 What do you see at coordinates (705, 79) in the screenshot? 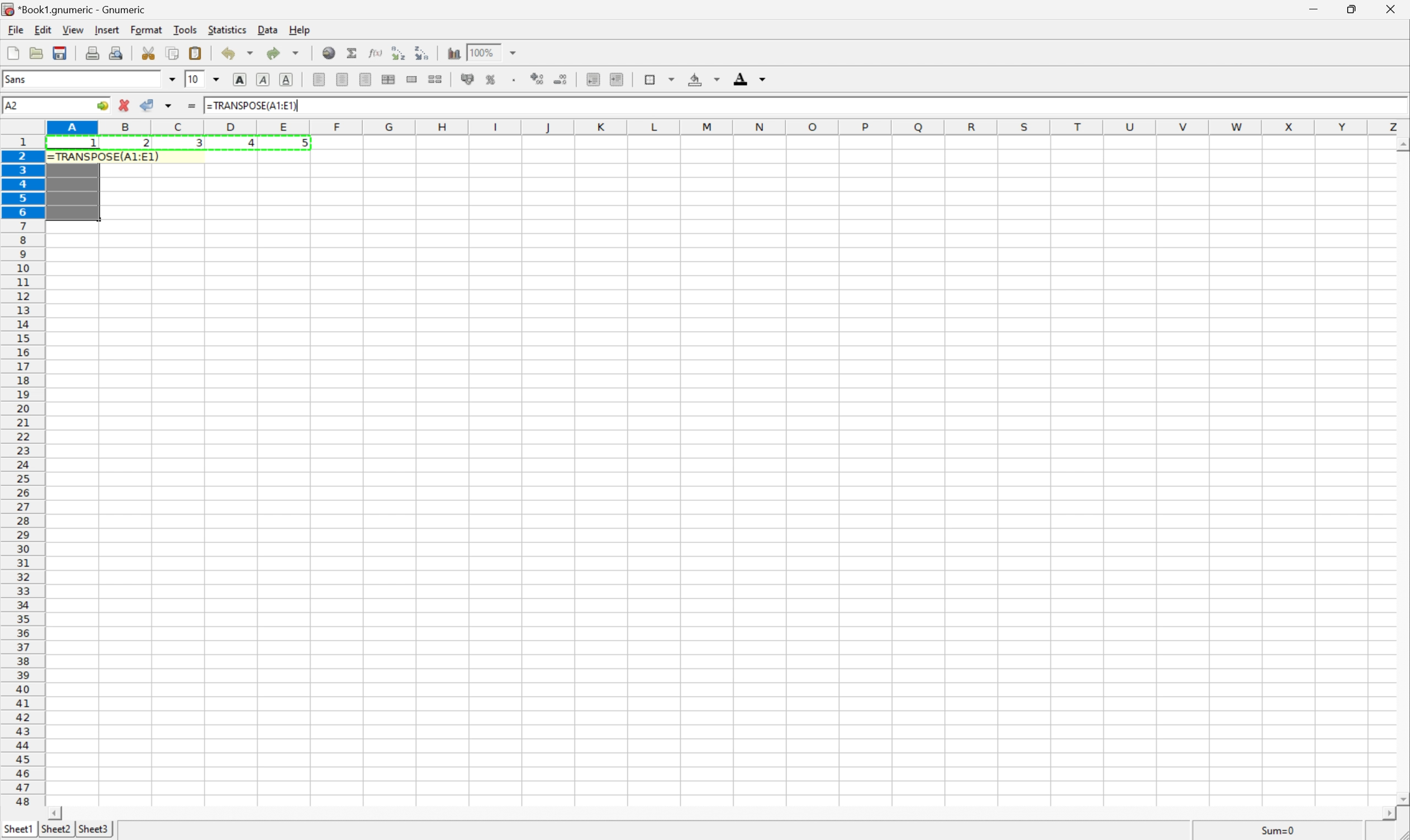
I see `background` at bounding box center [705, 79].